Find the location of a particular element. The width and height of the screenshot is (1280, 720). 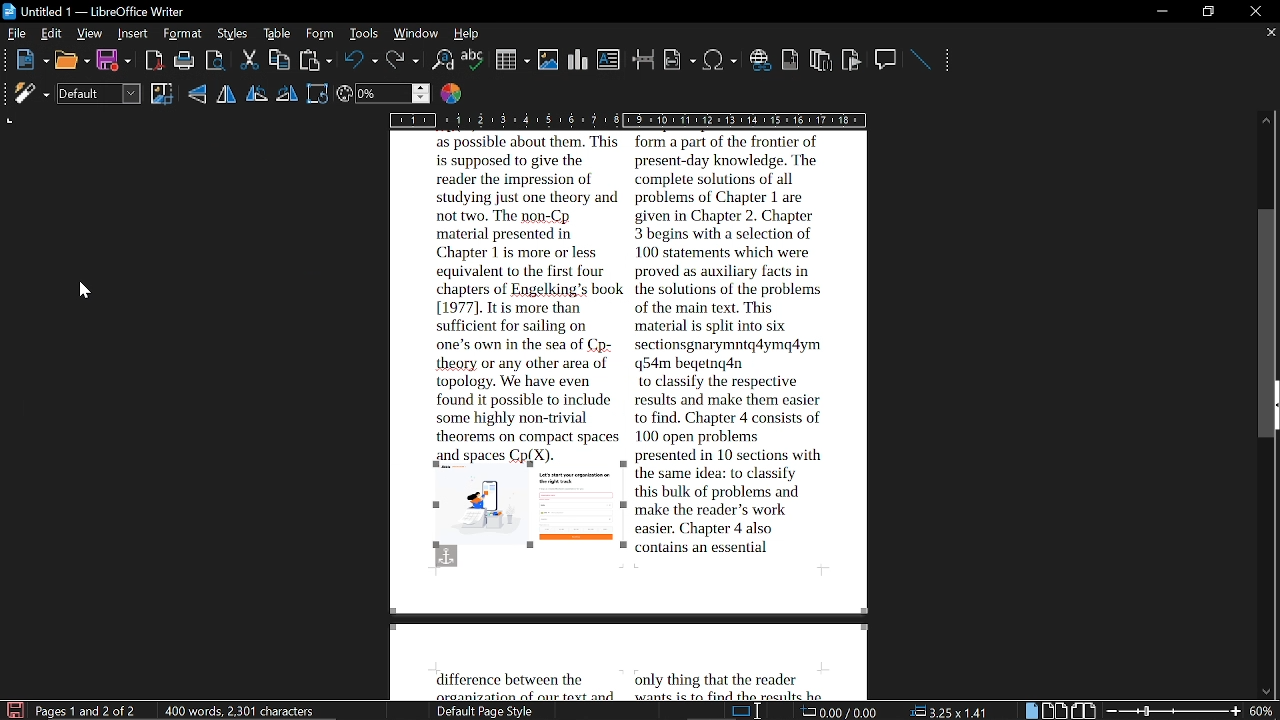

cursor is located at coordinates (86, 293).